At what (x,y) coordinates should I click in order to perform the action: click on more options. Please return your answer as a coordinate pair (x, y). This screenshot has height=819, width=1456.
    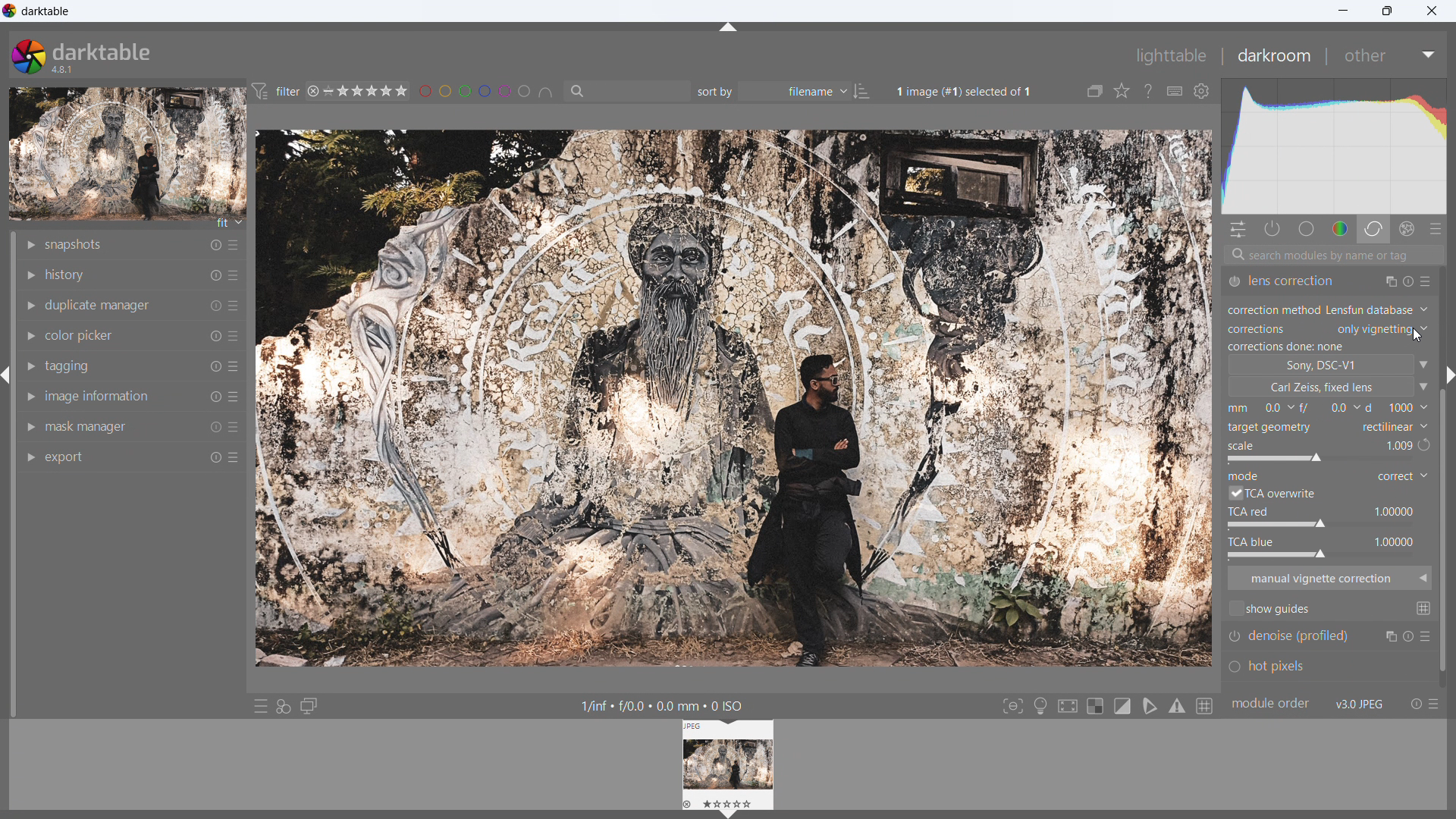
    Looking at the image, I should click on (236, 273).